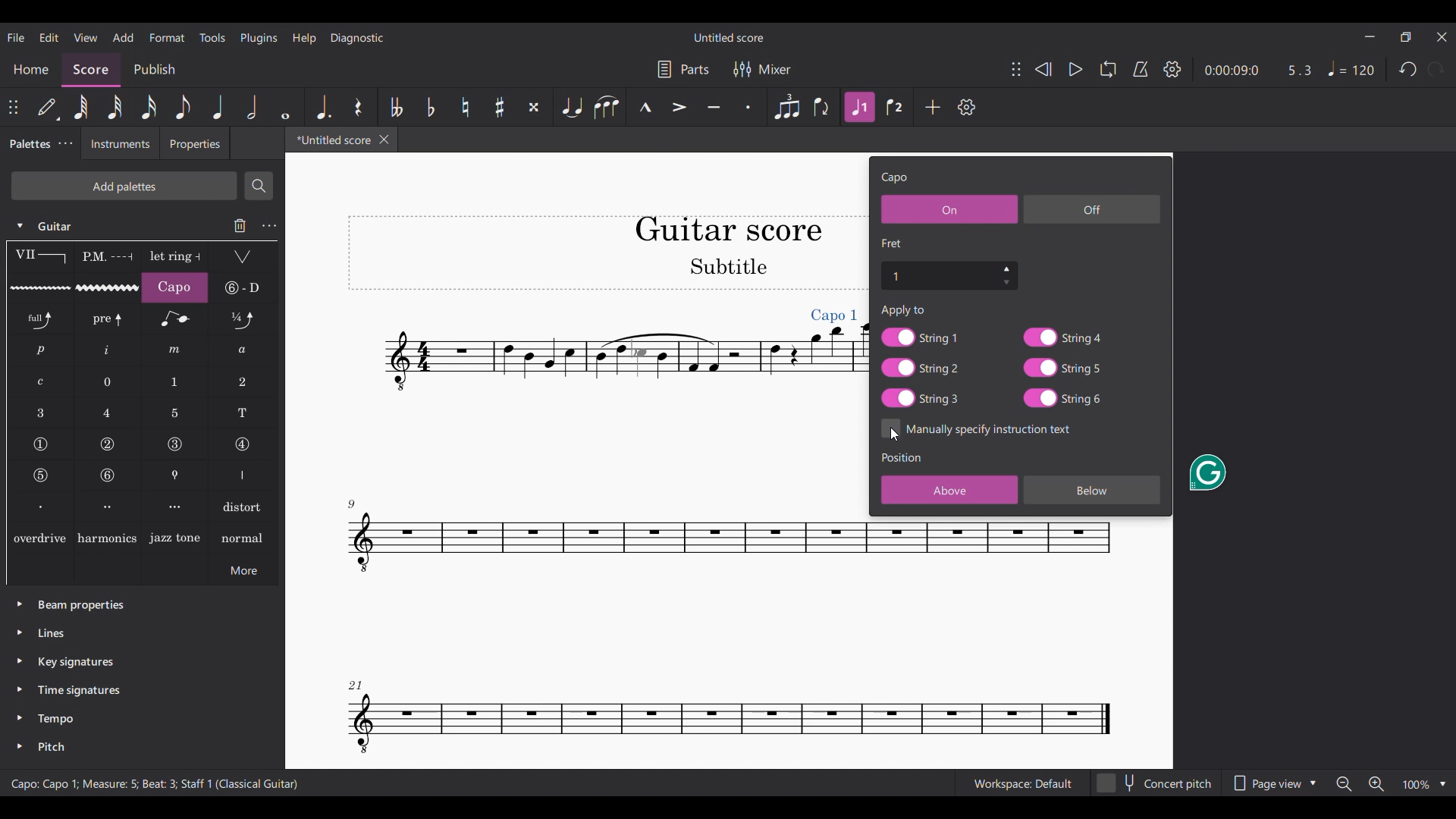  What do you see at coordinates (834, 315) in the screenshot?
I see `Capo added` at bounding box center [834, 315].